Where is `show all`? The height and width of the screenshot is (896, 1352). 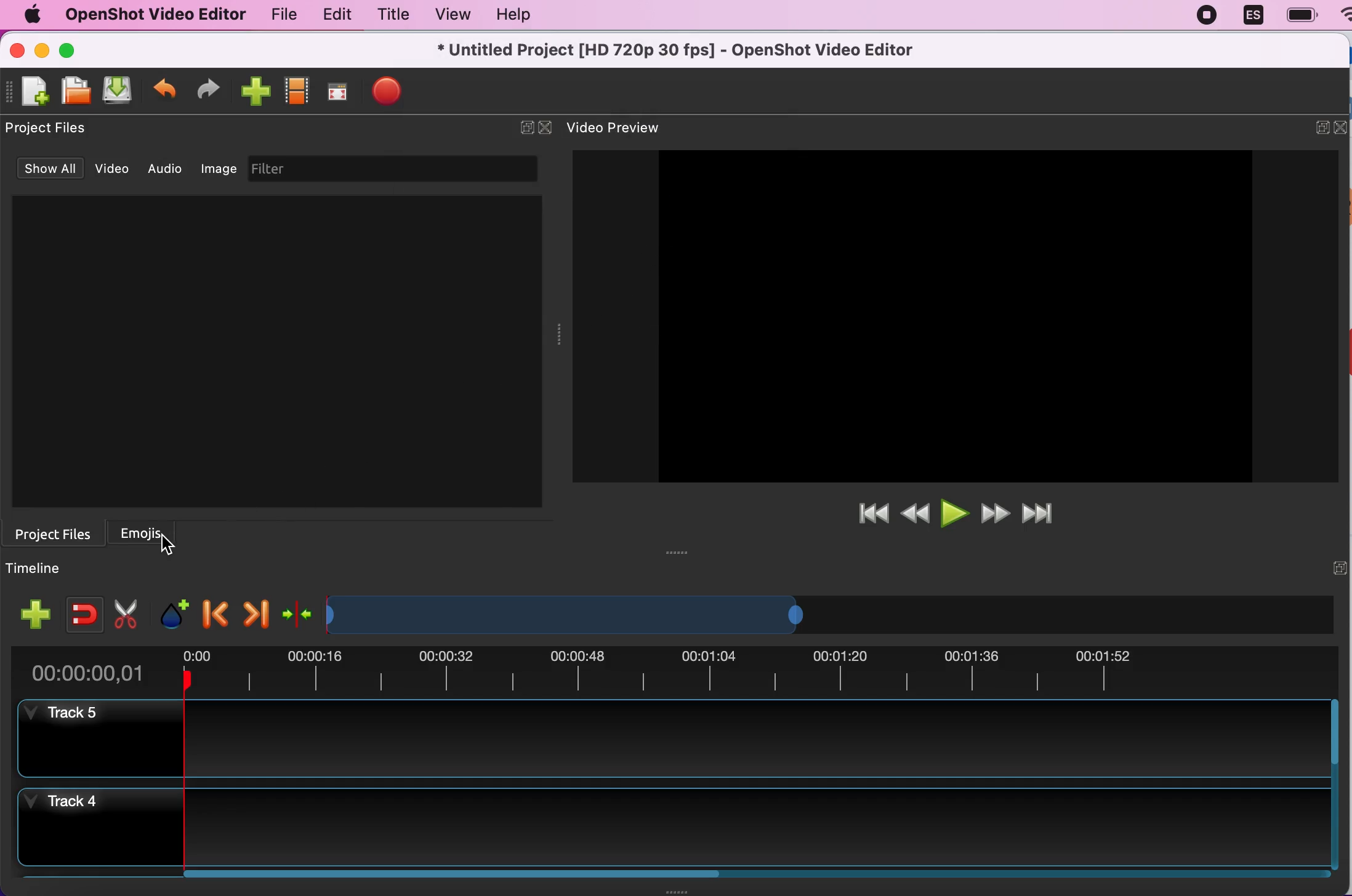 show all is located at coordinates (52, 170).